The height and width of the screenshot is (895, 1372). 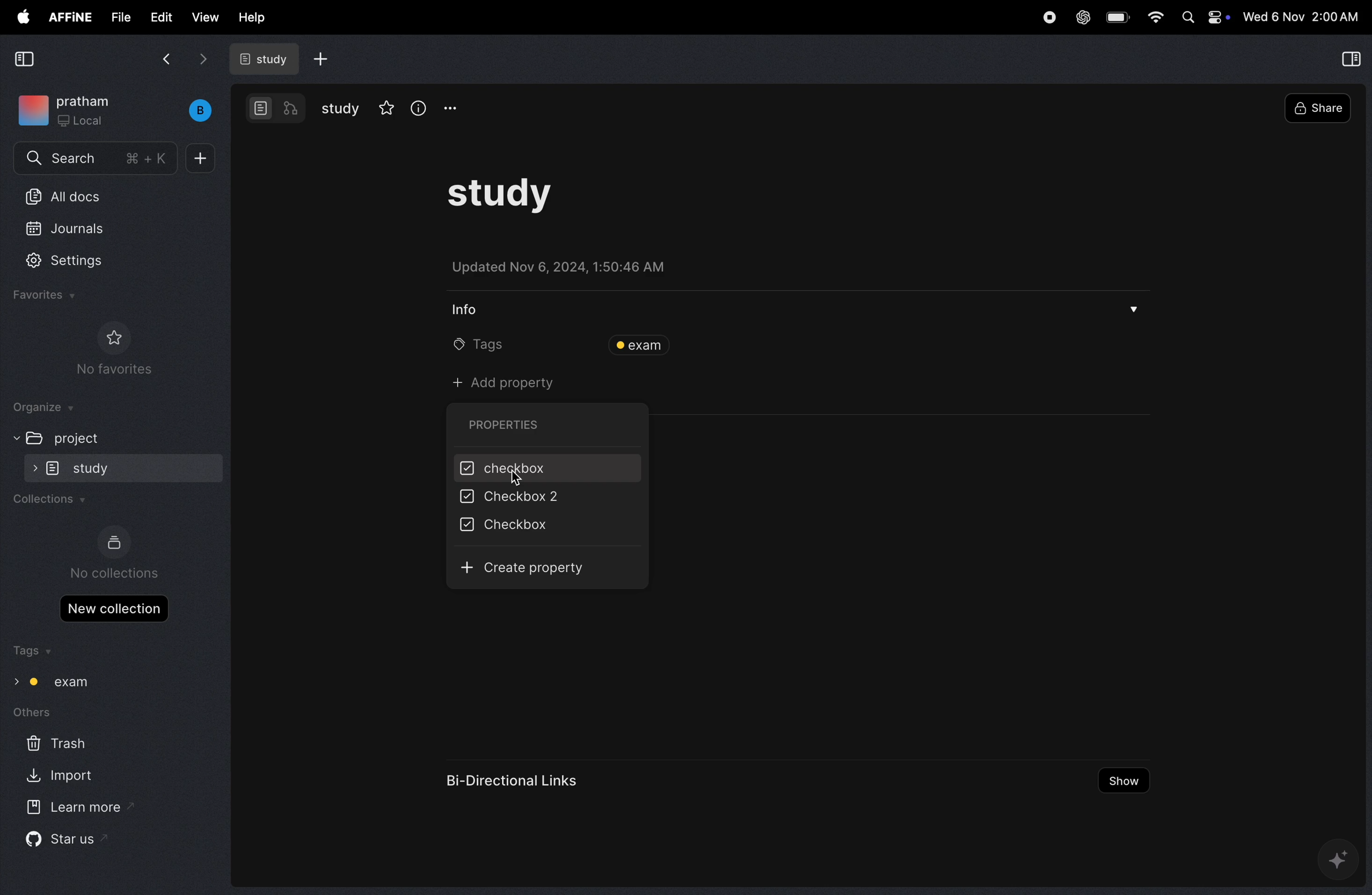 I want to click on add, so click(x=325, y=59).